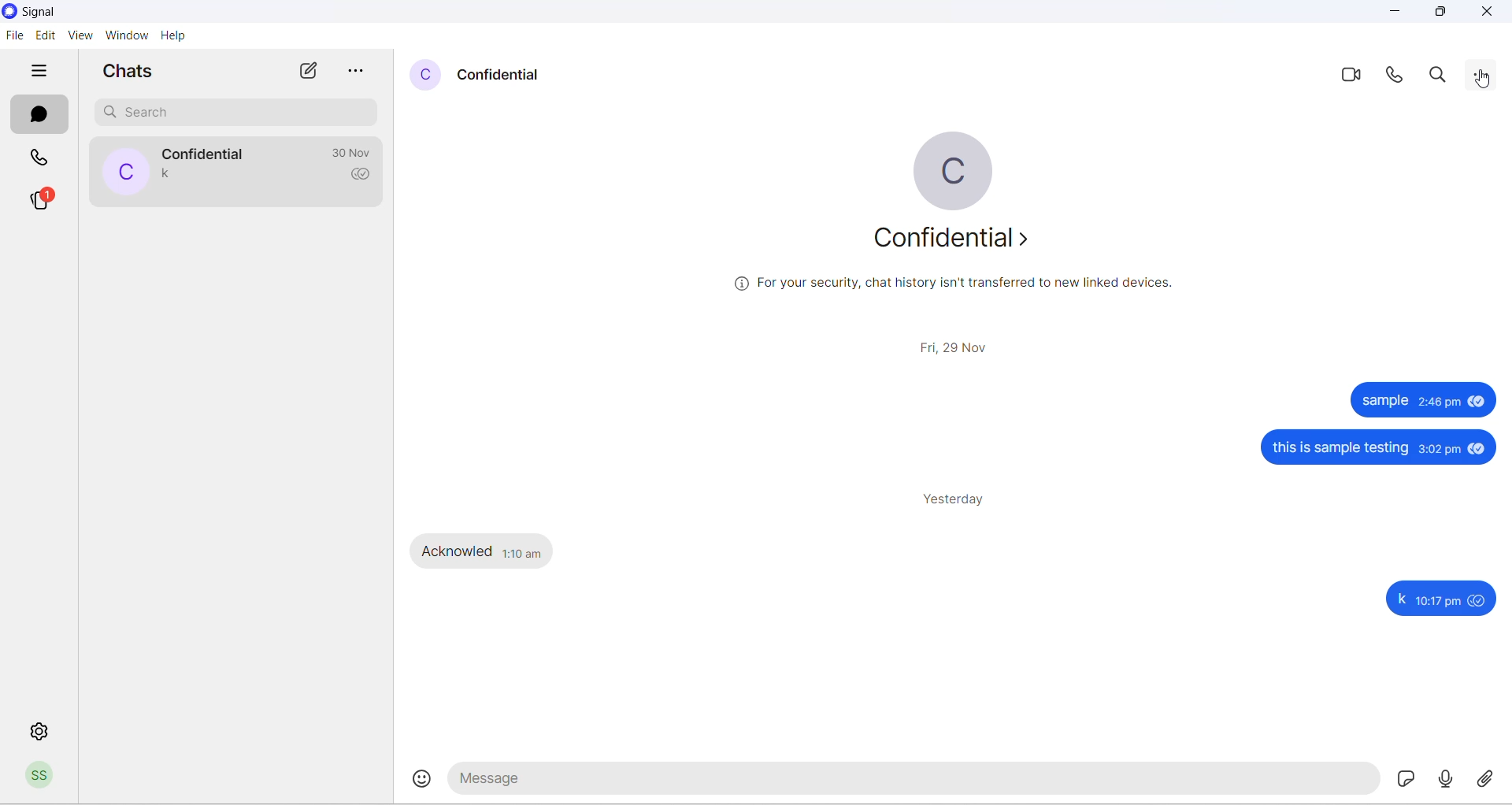 This screenshot has width=1512, height=805. Describe the element at coordinates (1405, 779) in the screenshot. I see `sticker` at that location.